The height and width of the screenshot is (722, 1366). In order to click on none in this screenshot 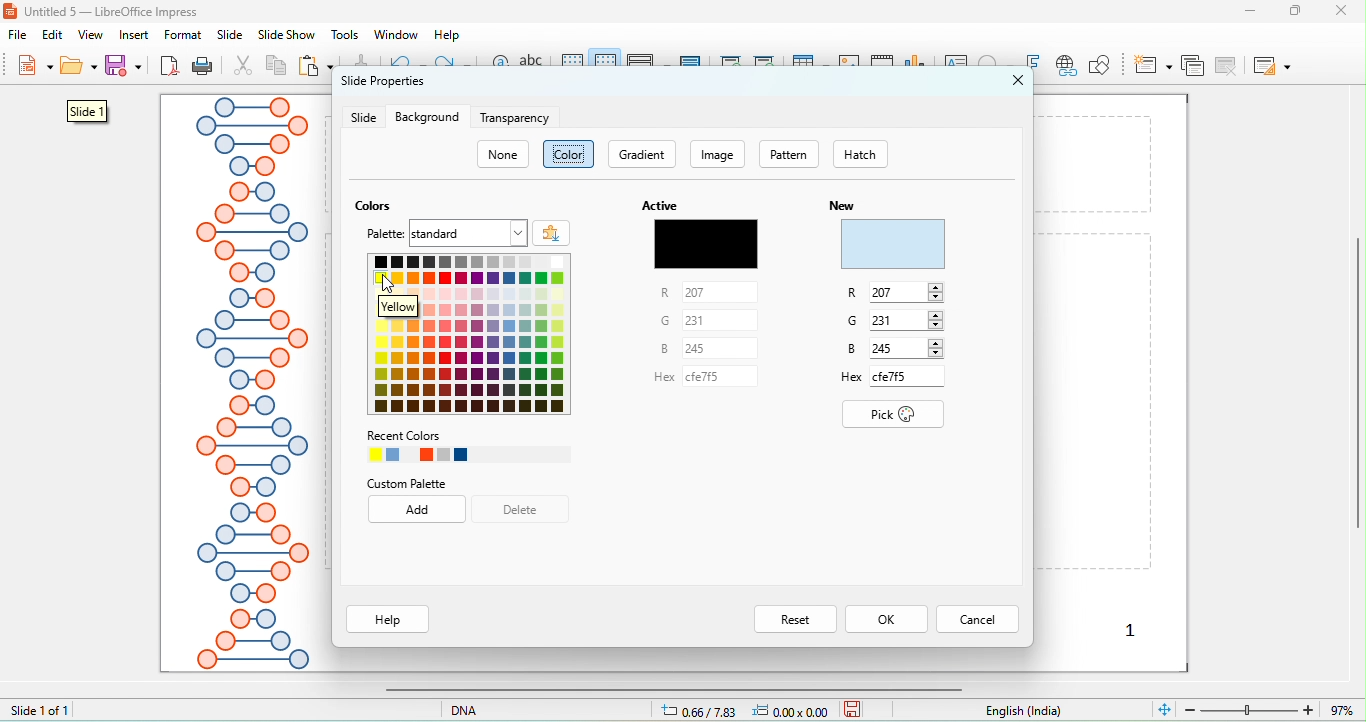, I will do `click(504, 155)`.